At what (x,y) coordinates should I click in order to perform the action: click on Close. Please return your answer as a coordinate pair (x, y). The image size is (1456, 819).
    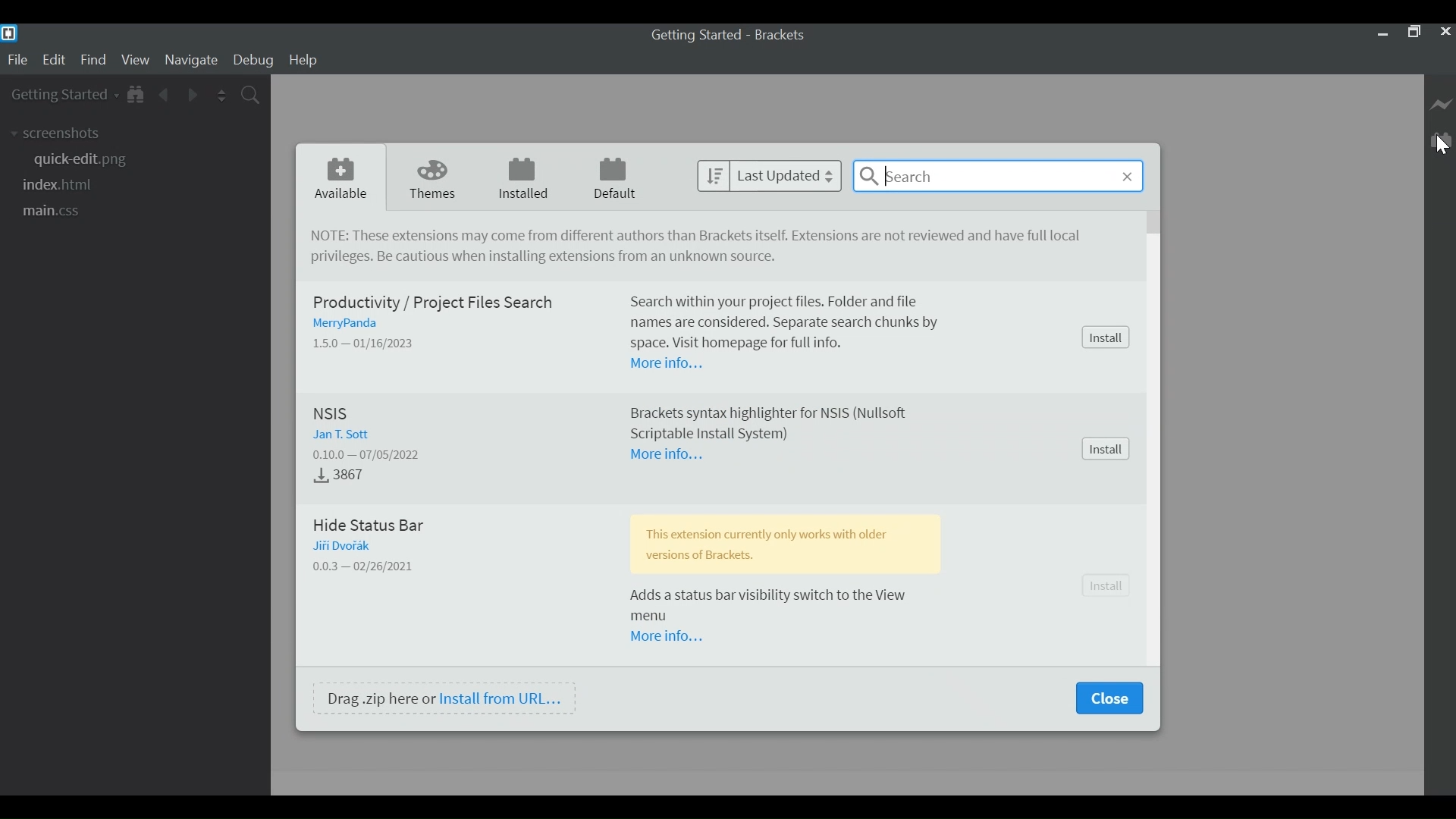
    Looking at the image, I should click on (1108, 698).